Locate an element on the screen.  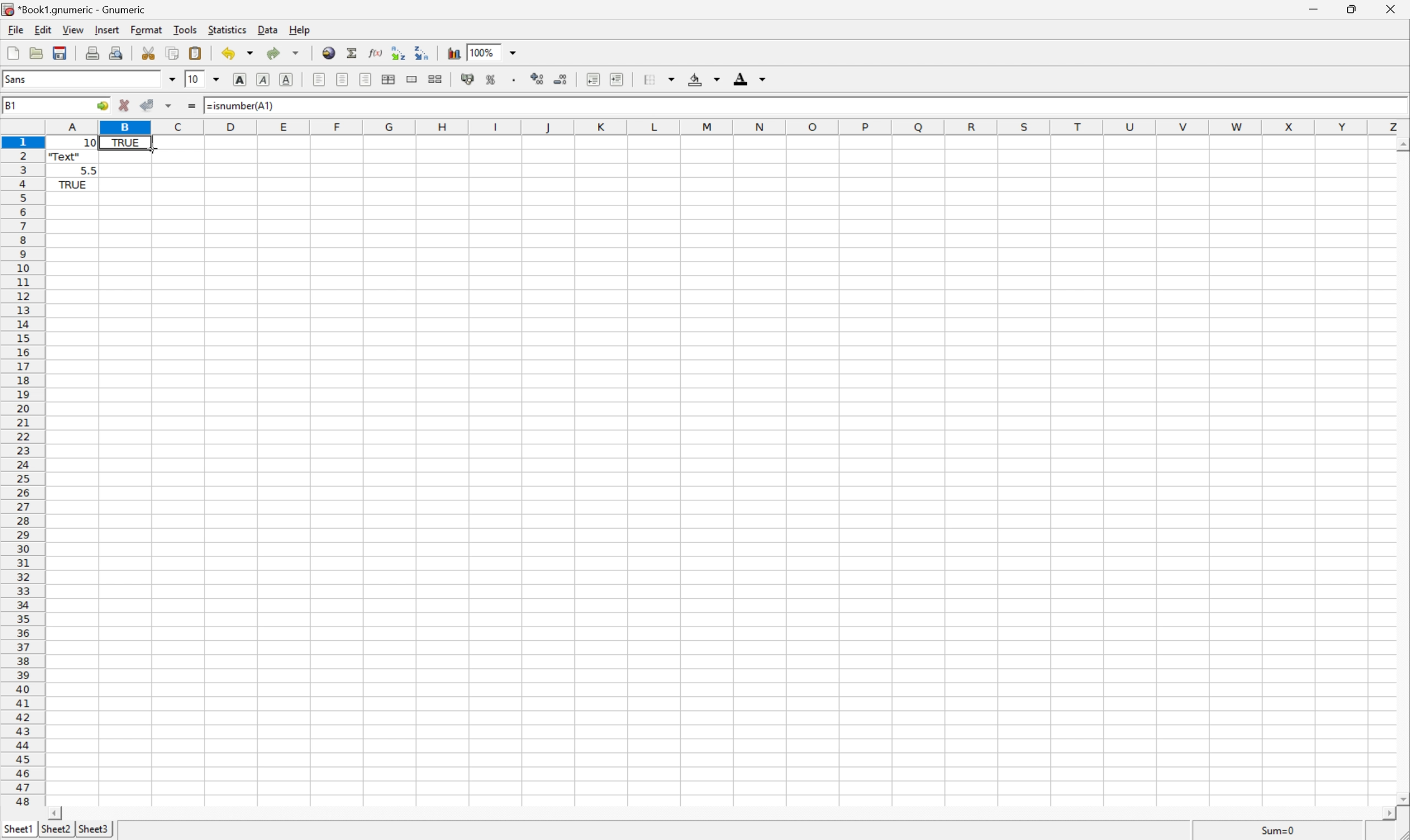
Insert is located at coordinates (106, 29).